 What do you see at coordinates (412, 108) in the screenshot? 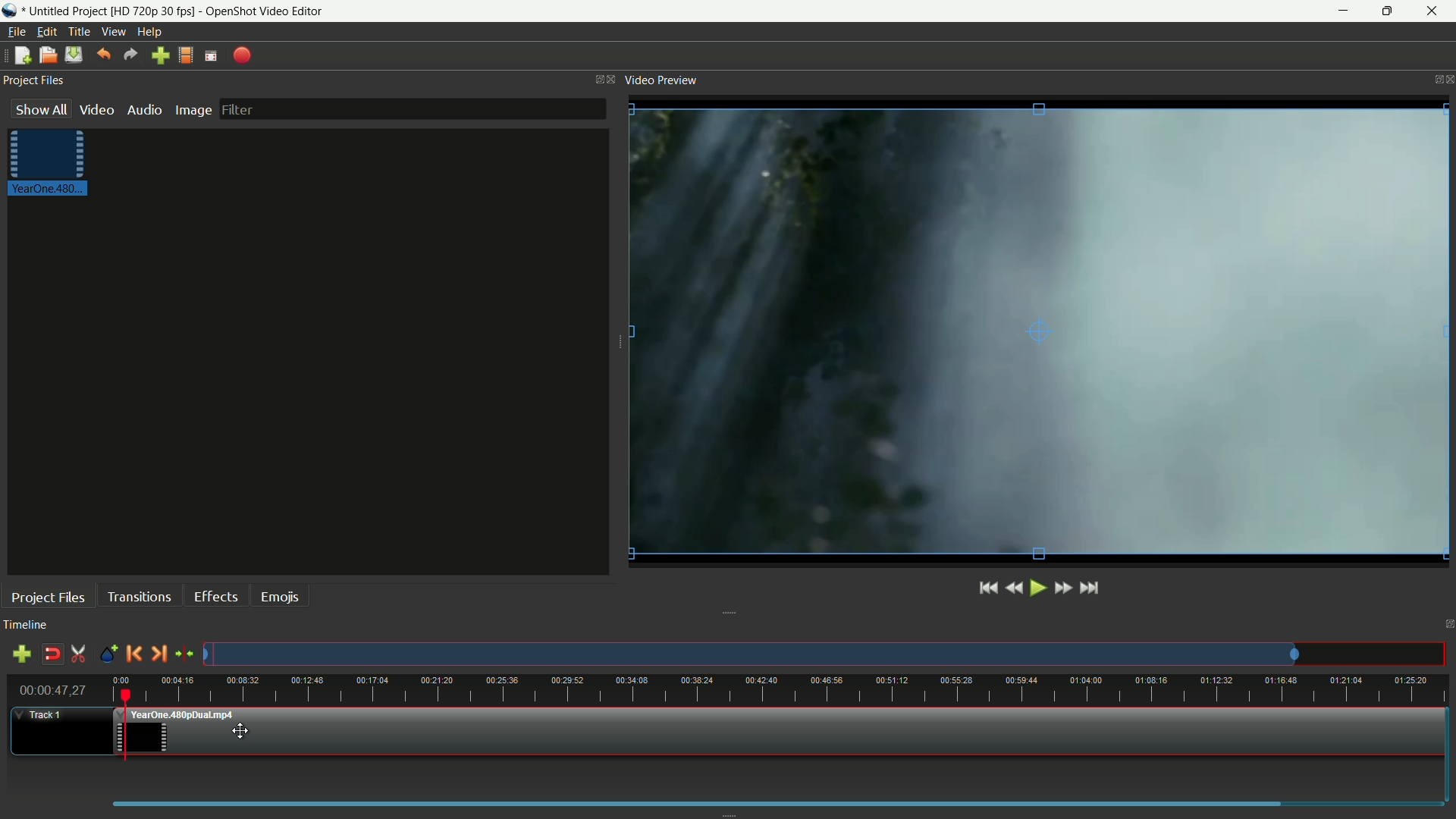
I see `filter bar` at bounding box center [412, 108].